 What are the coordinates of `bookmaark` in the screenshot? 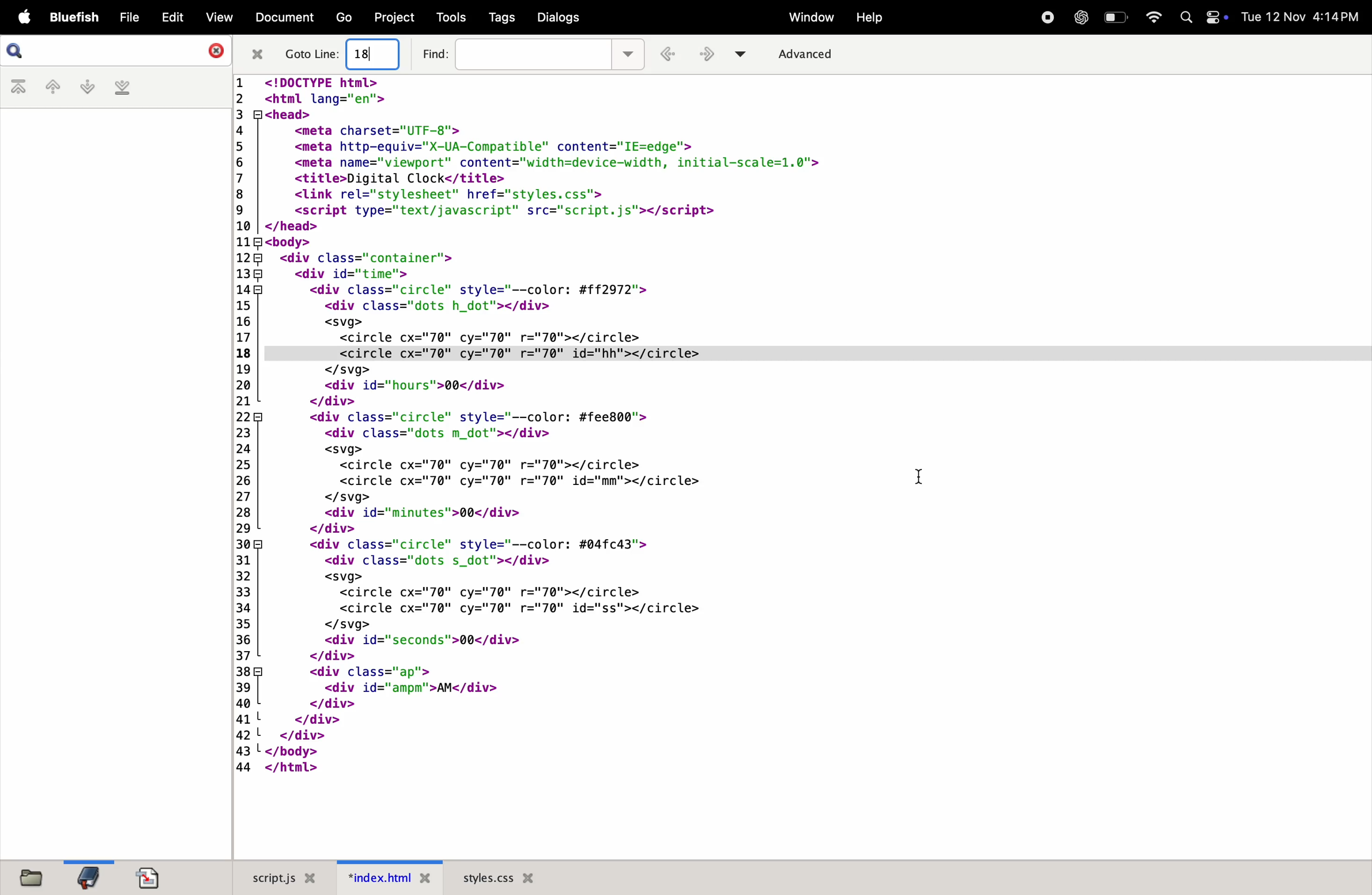 It's located at (89, 876).